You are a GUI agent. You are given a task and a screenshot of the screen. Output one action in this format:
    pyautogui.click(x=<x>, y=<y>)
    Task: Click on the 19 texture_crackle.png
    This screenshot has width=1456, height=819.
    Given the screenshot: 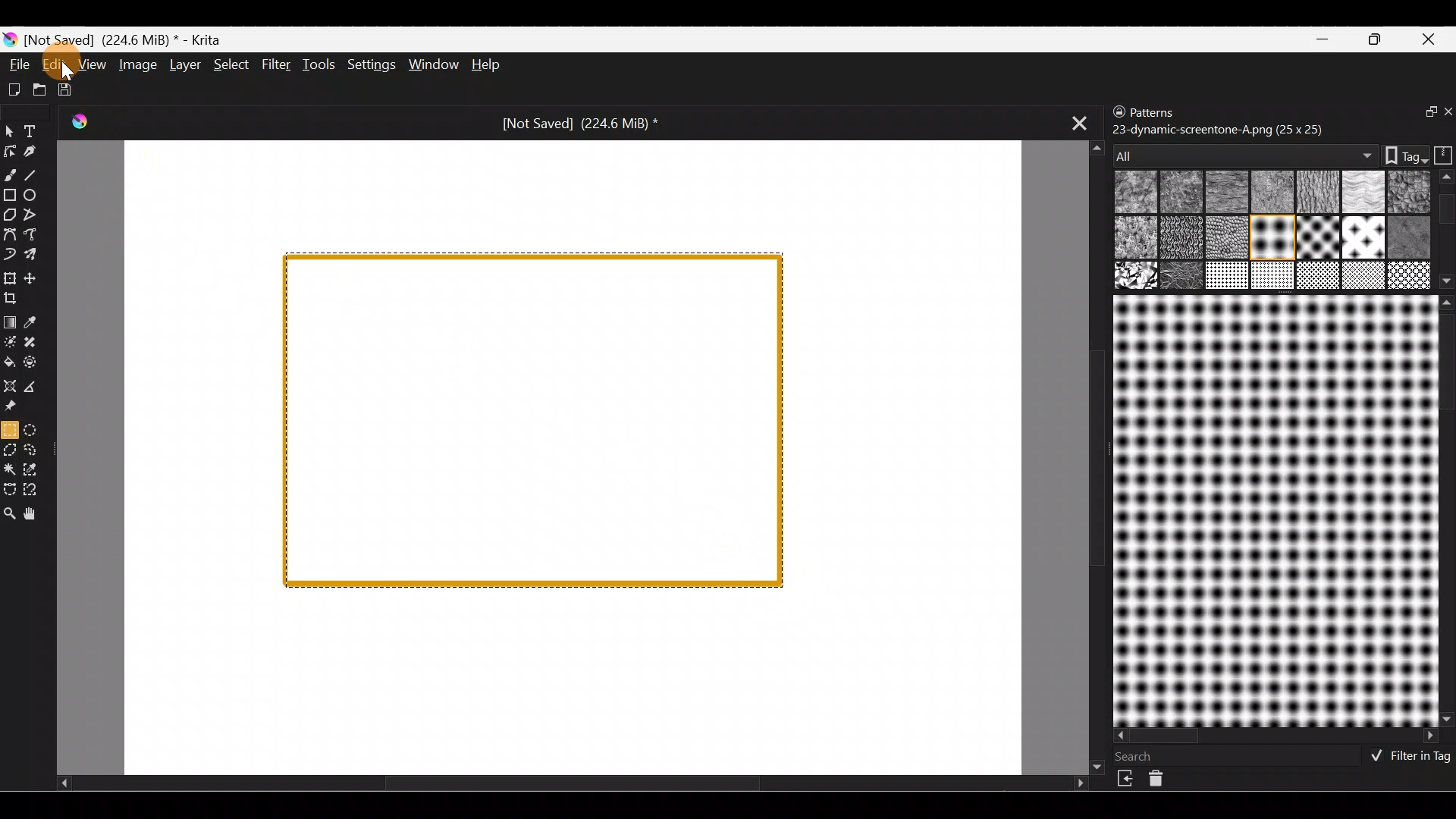 What is the action you would take?
    pyautogui.click(x=1364, y=275)
    